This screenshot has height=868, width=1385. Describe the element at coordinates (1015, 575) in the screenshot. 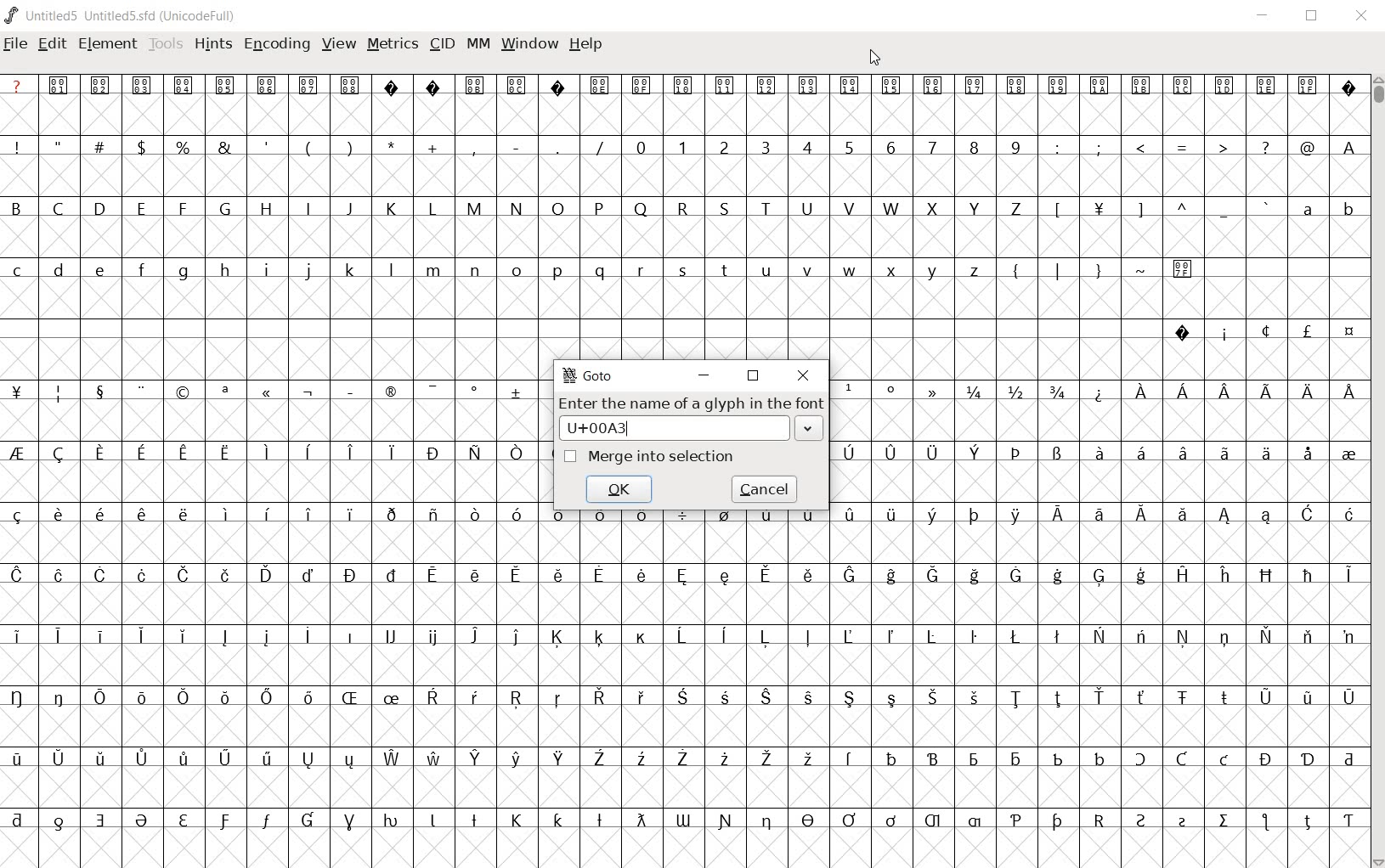

I see `Symbol` at that location.